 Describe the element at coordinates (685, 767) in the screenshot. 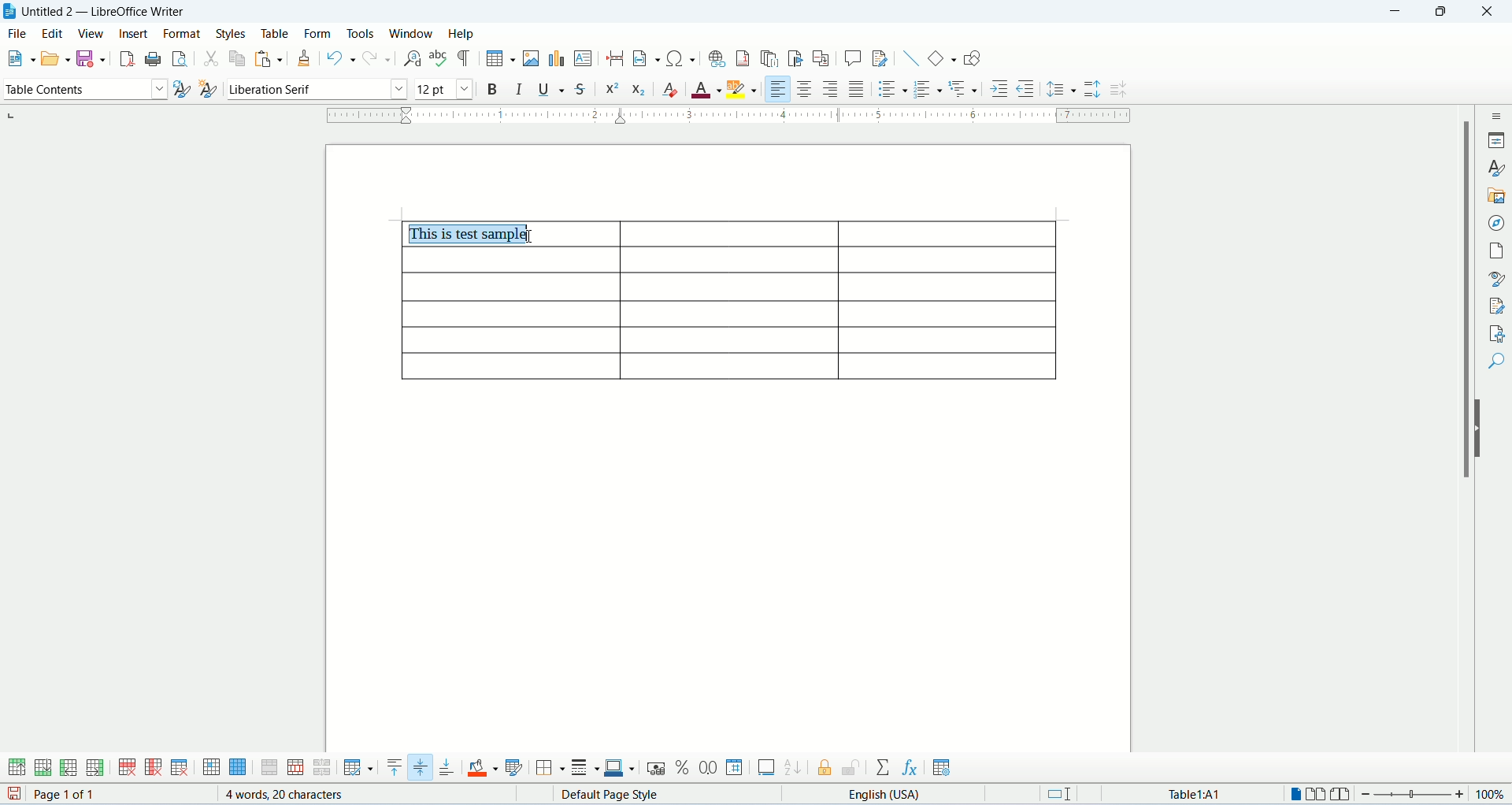

I see `percent format` at that location.